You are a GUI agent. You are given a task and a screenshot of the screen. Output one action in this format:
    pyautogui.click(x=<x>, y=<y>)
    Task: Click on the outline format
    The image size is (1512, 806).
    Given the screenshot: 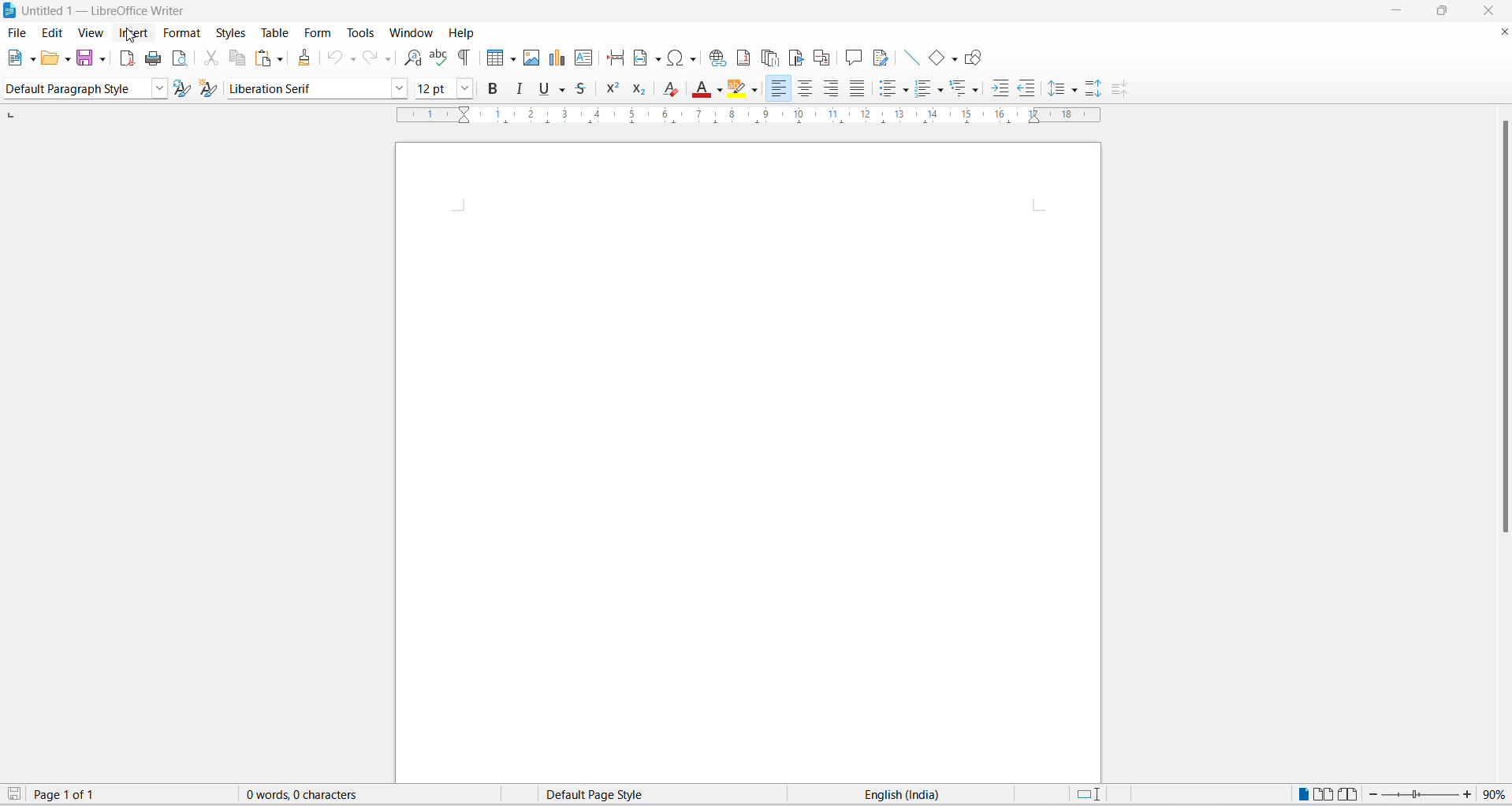 What is the action you would take?
    pyautogui.click(x=963, y=91)
    